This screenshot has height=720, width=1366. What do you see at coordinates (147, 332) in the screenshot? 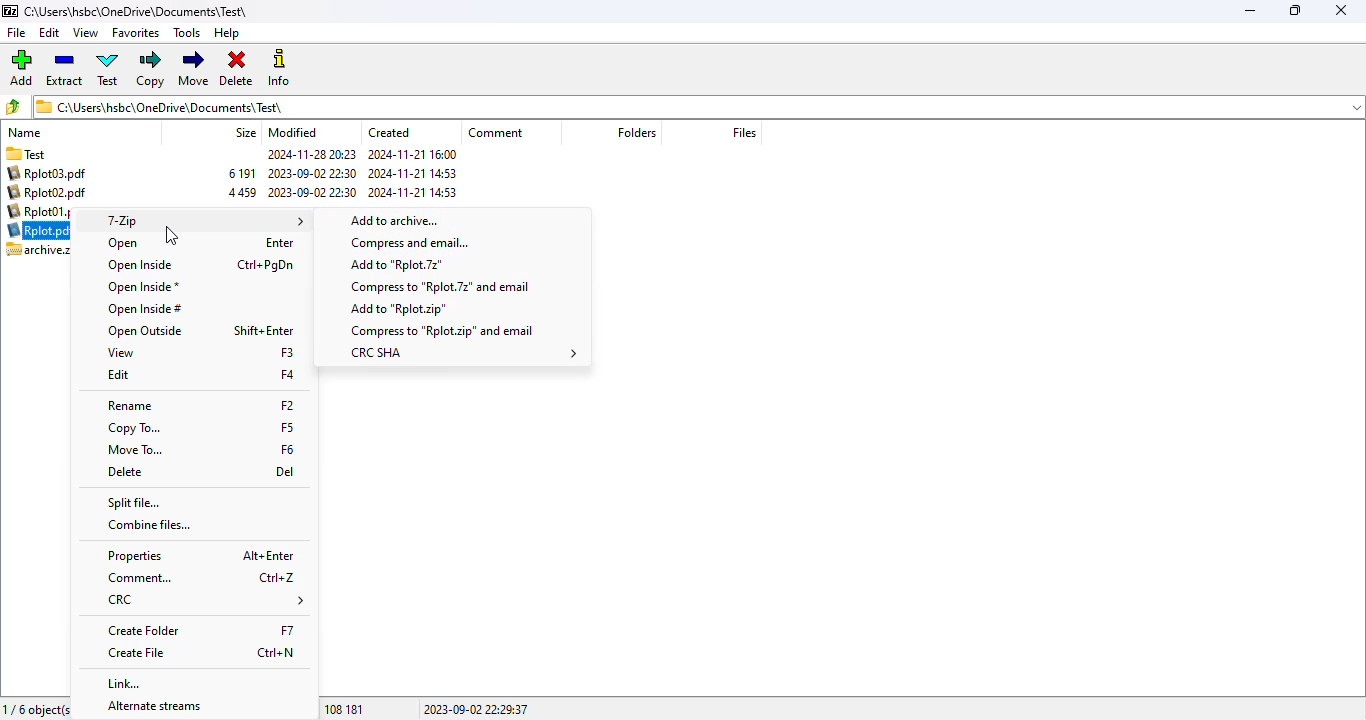
I see `open outside` at bounding box center [147, 332].